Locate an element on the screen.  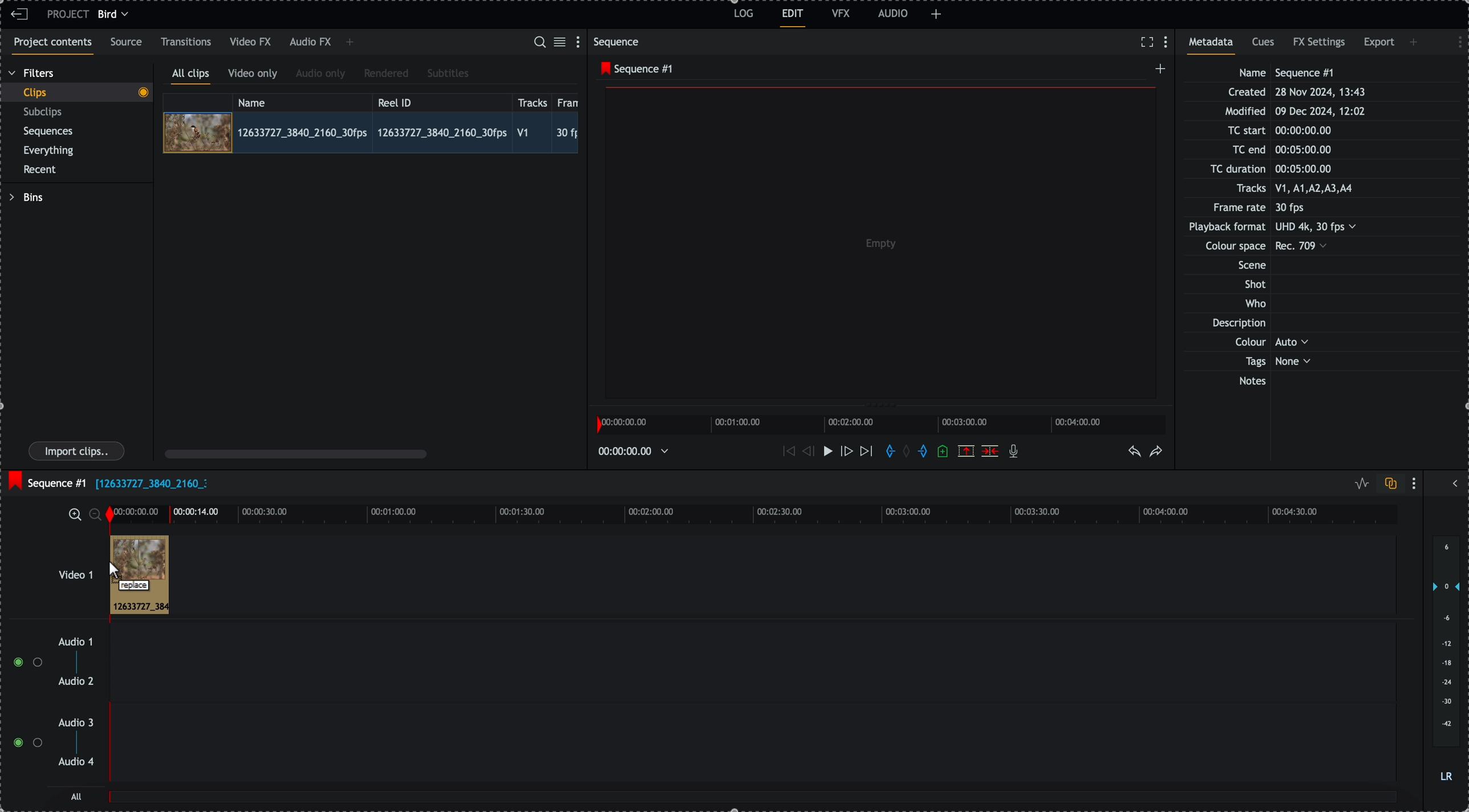
undo is located at coordinates (1135, 452).